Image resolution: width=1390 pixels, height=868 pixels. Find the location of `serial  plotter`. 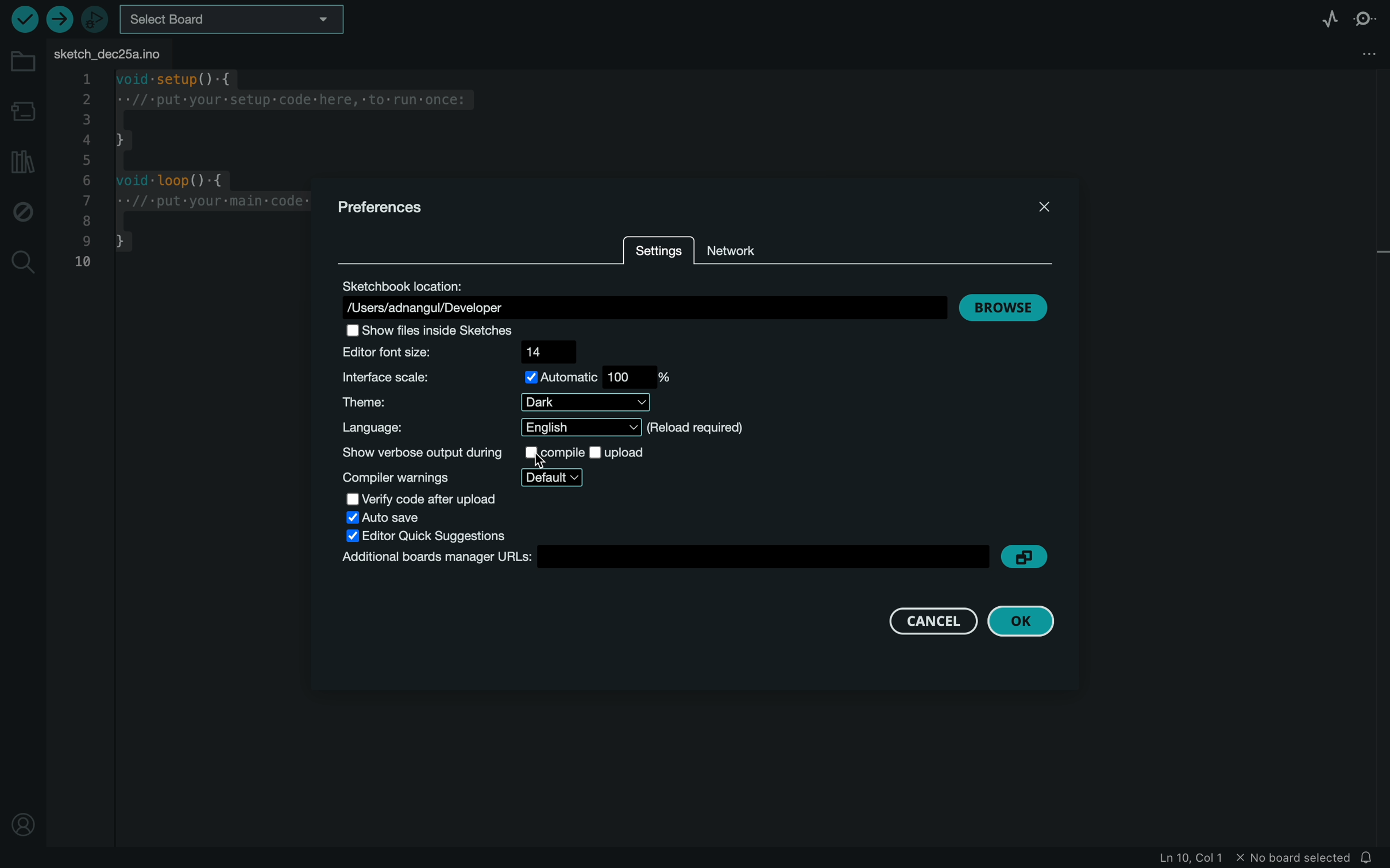

serial  plotter is located at coordinates (1329, 17).